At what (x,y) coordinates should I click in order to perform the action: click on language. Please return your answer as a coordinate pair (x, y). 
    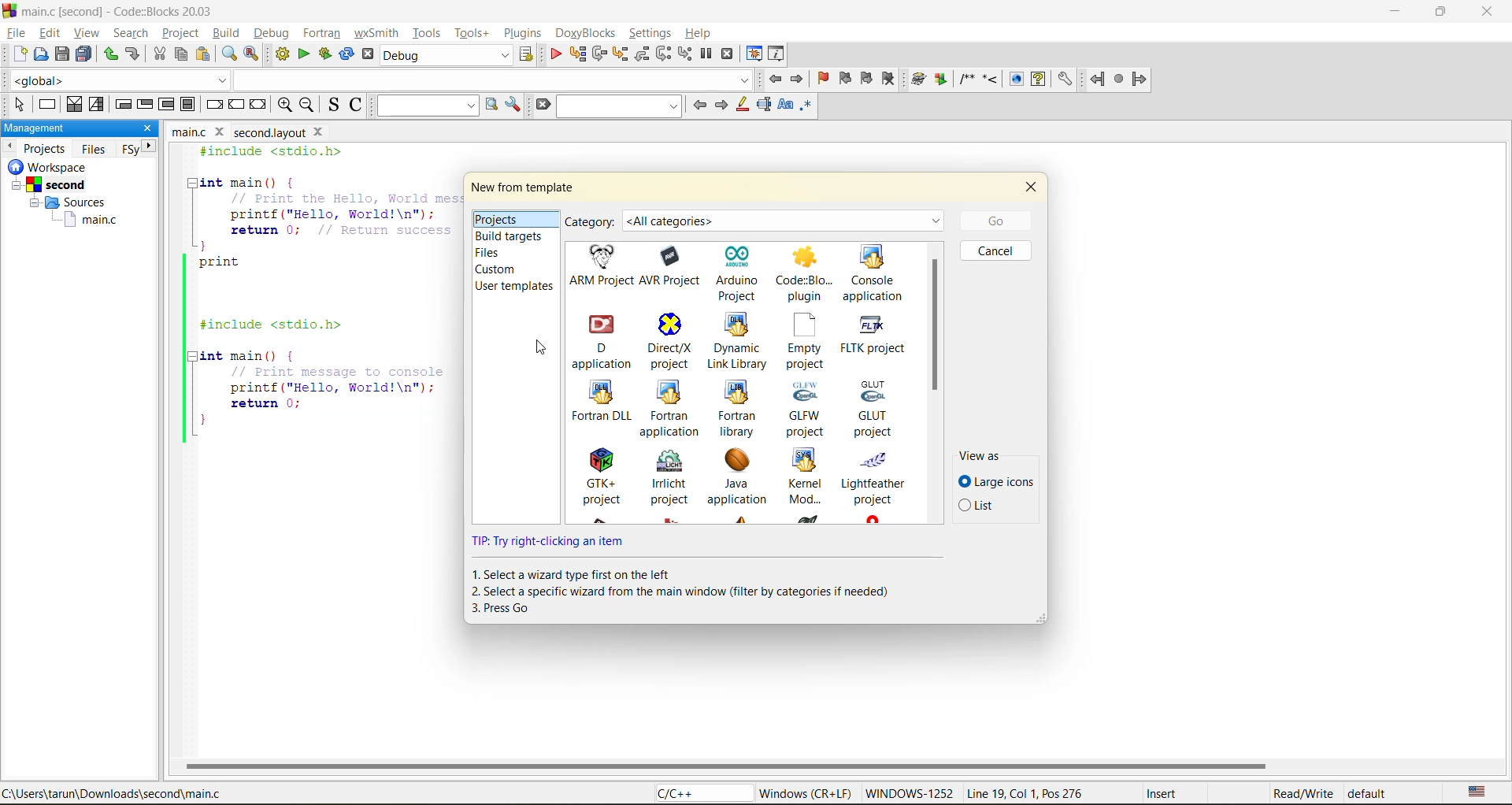
    Looking at the image, I should click on (700, 792).